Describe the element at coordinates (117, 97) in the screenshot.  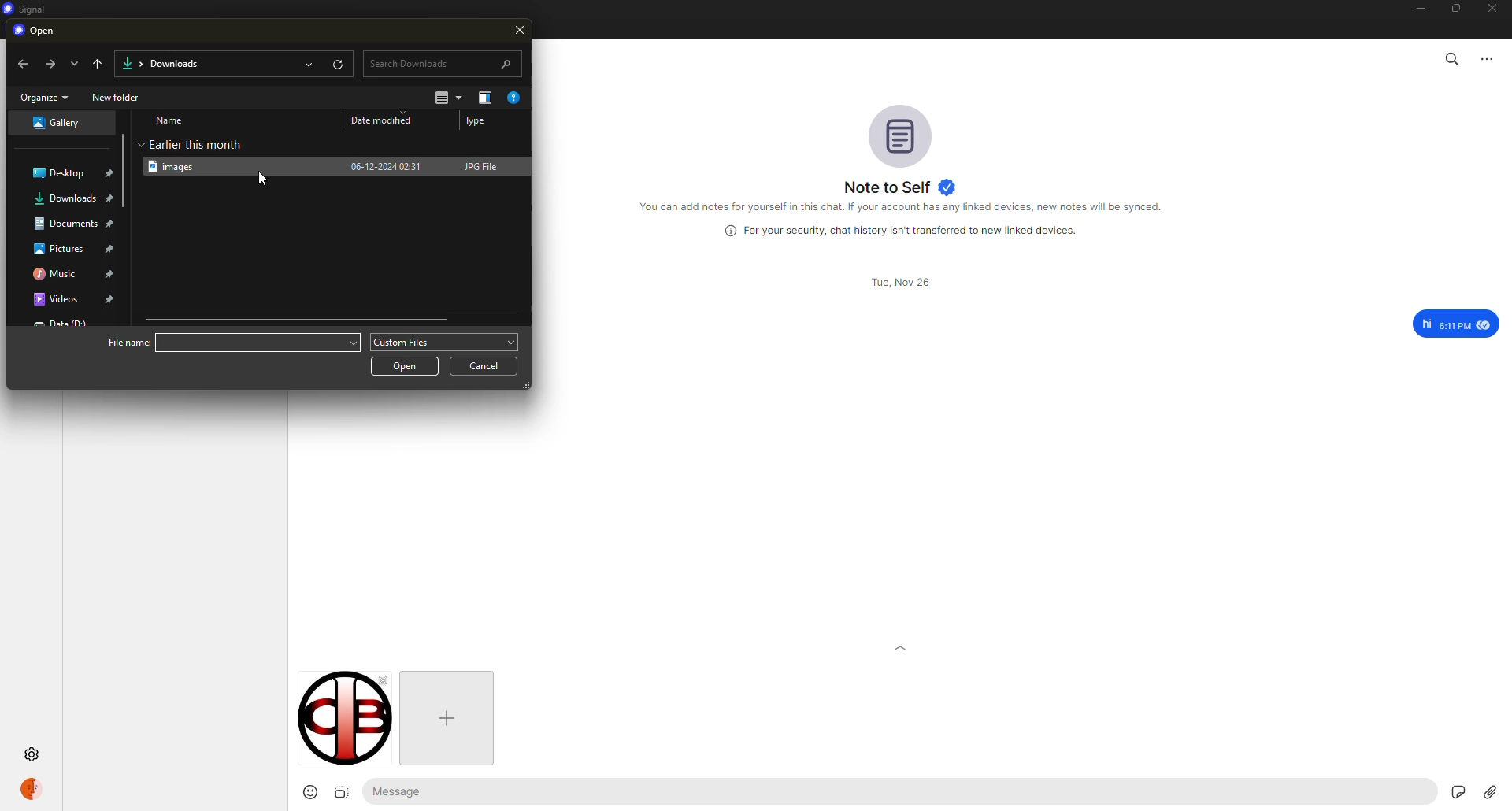
I see `new folder` at that location.